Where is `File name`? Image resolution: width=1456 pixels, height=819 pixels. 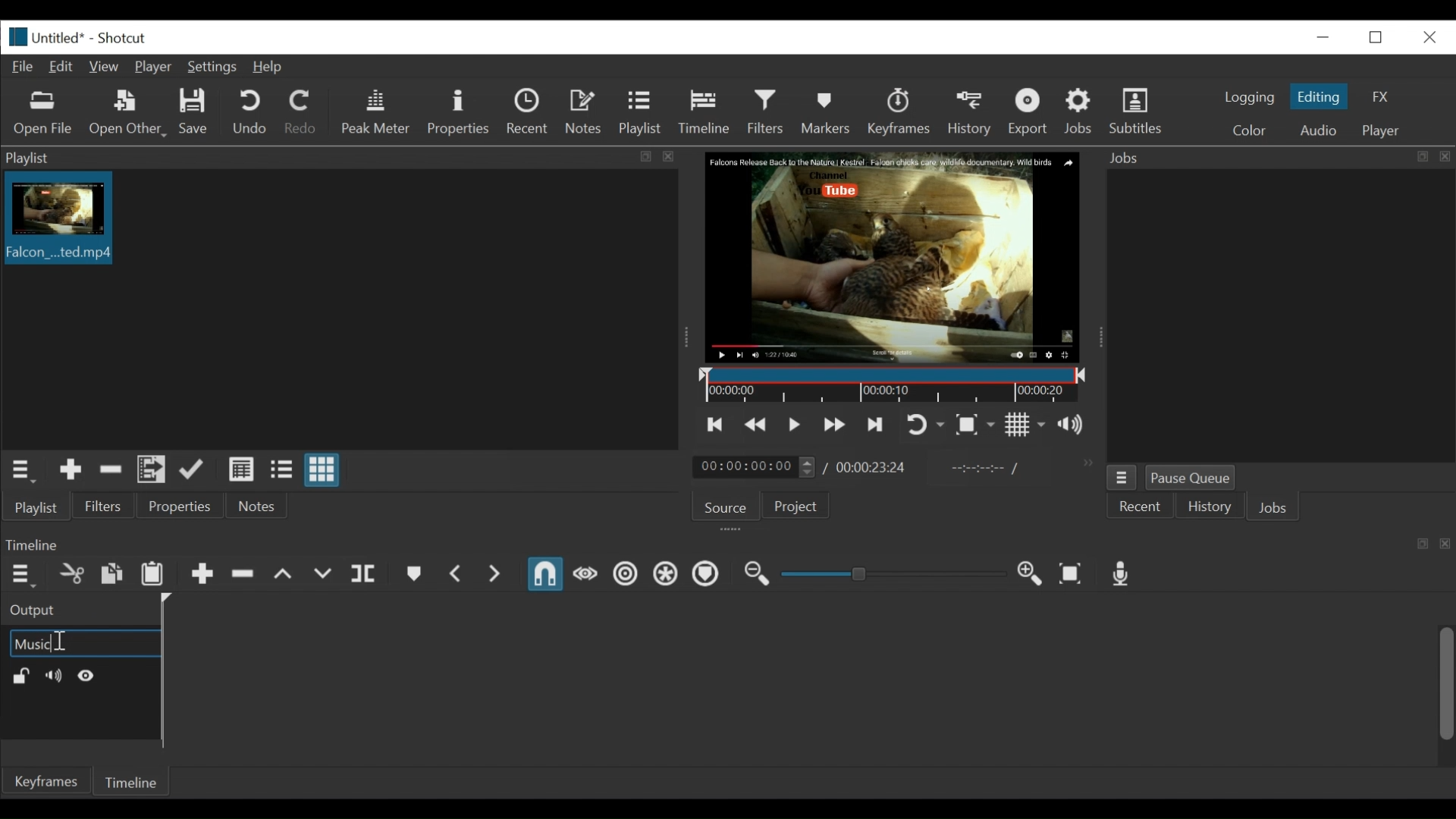 File name is located at coordinates (45, 36).